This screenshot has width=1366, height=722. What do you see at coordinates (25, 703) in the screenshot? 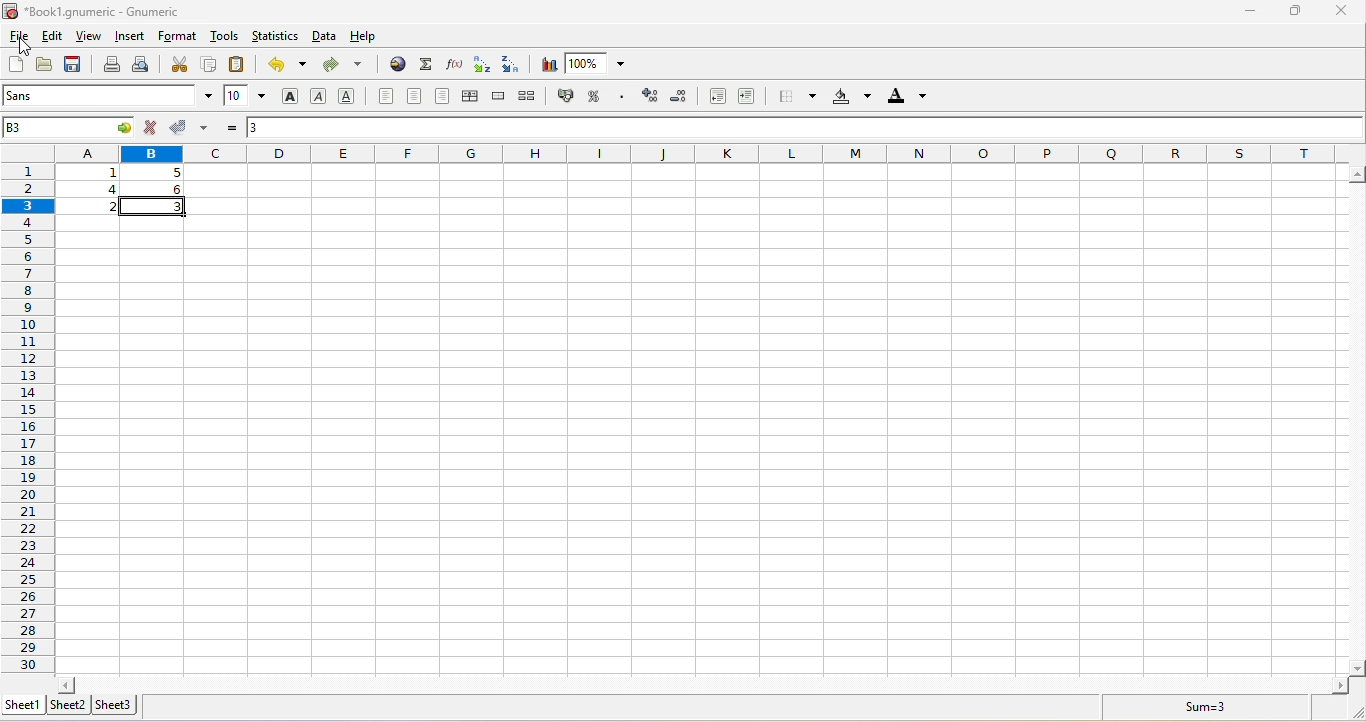
I see `sheet 1` at bounding box center [25, 703].